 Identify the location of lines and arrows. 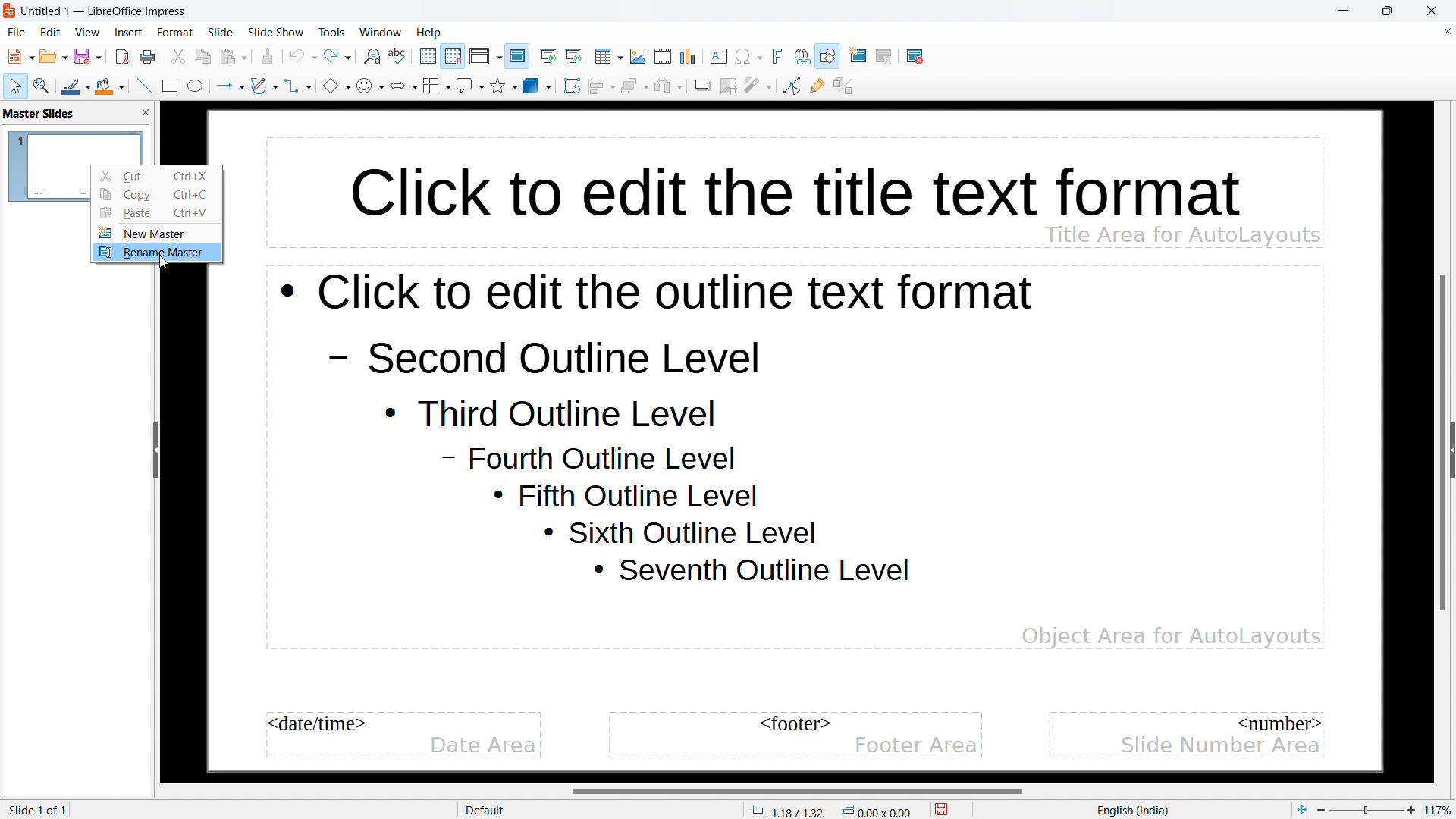
(230, 86).